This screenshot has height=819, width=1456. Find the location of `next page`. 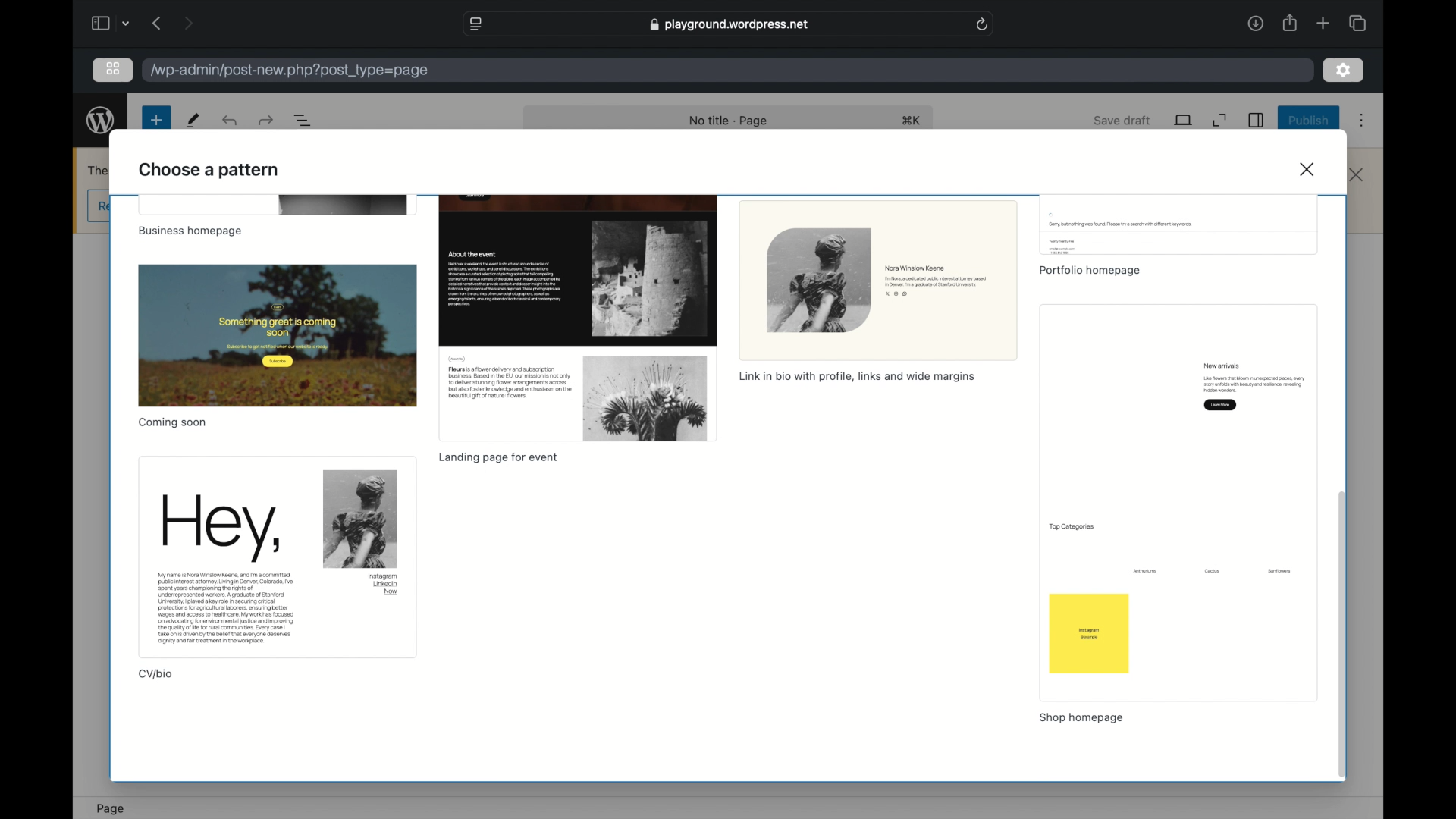

next page is located at coordinates (188, 23).